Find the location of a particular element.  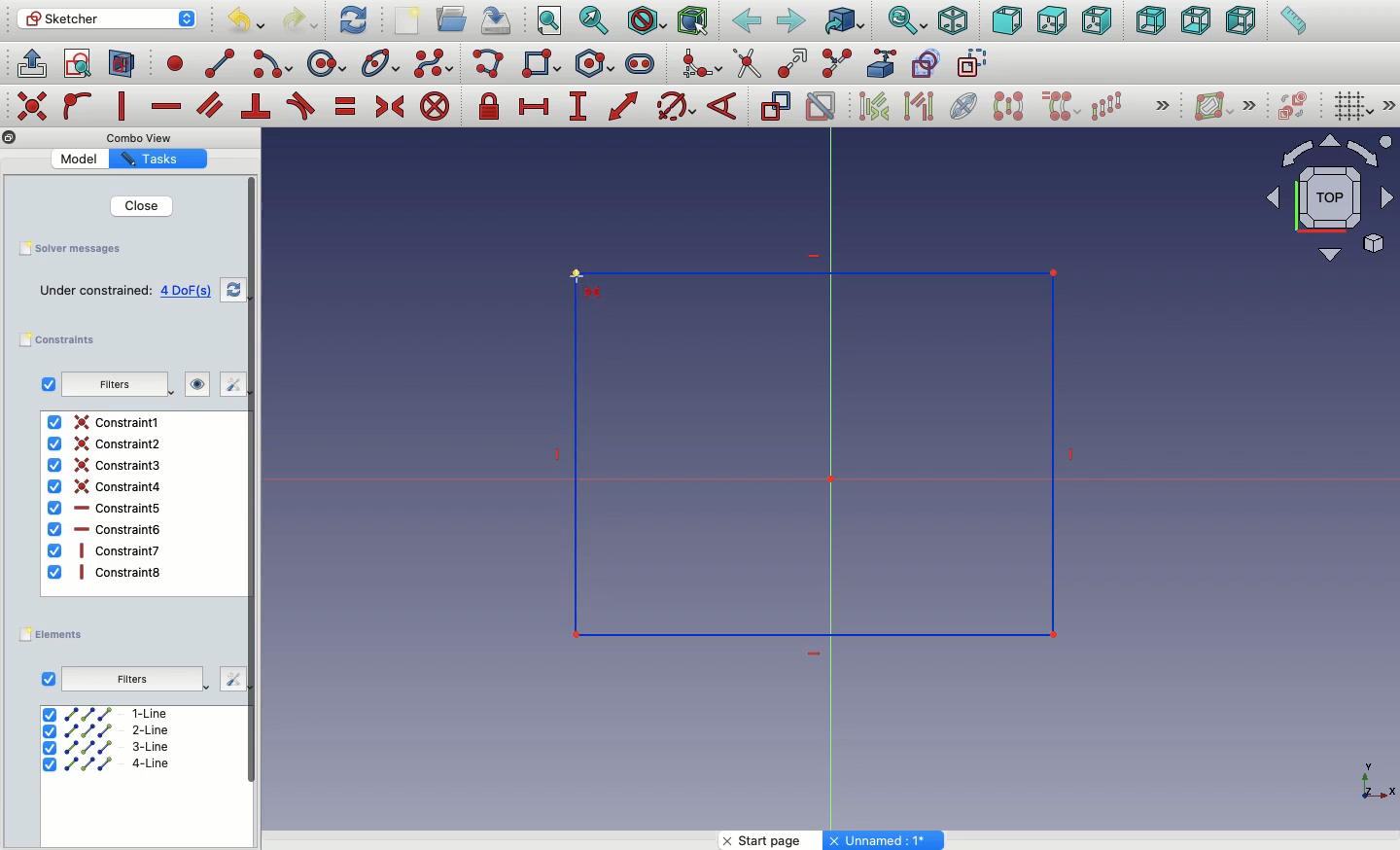

Save is located at coordinates (69, 247).